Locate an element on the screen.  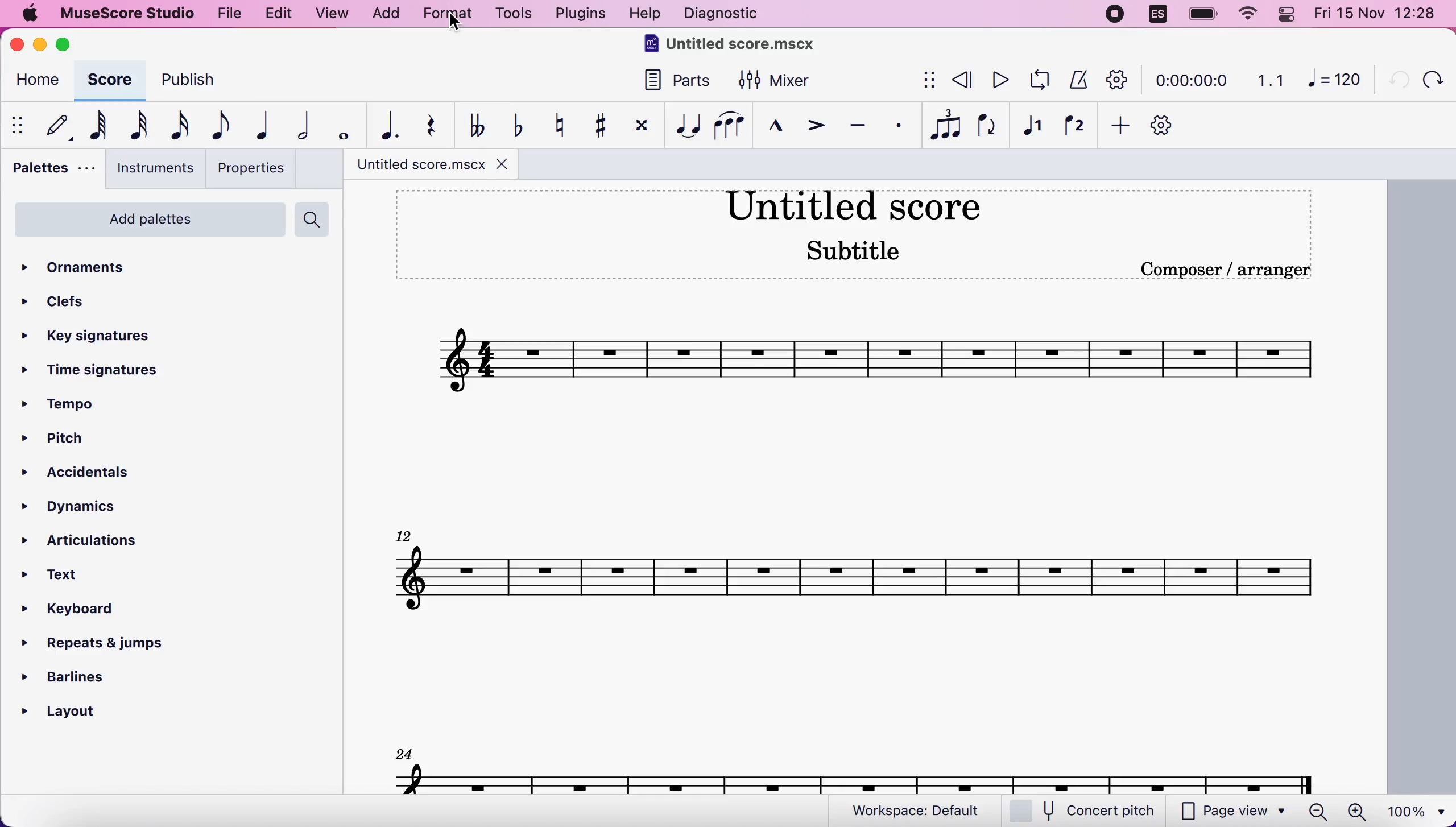
Subtitle is located at coordinates (856, 249).